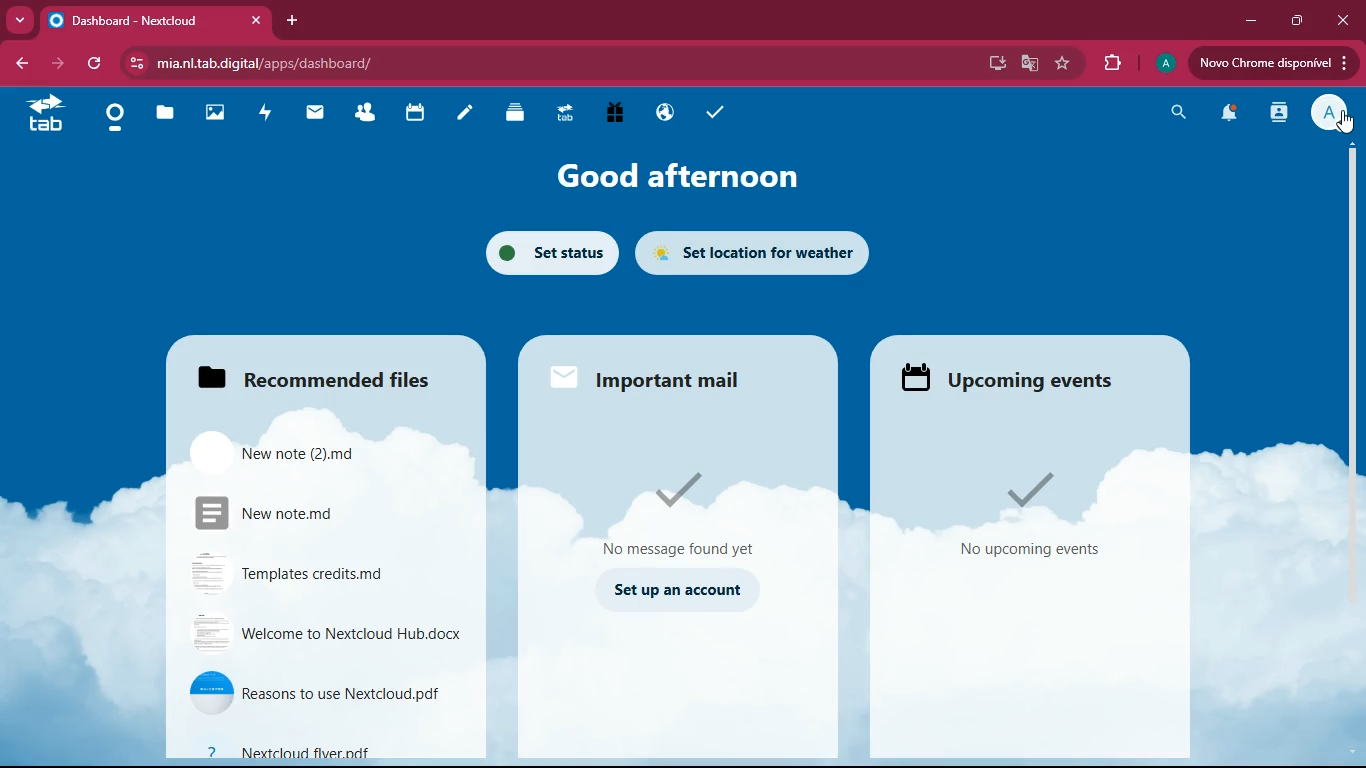  I want to click on file, so click(283, 509).